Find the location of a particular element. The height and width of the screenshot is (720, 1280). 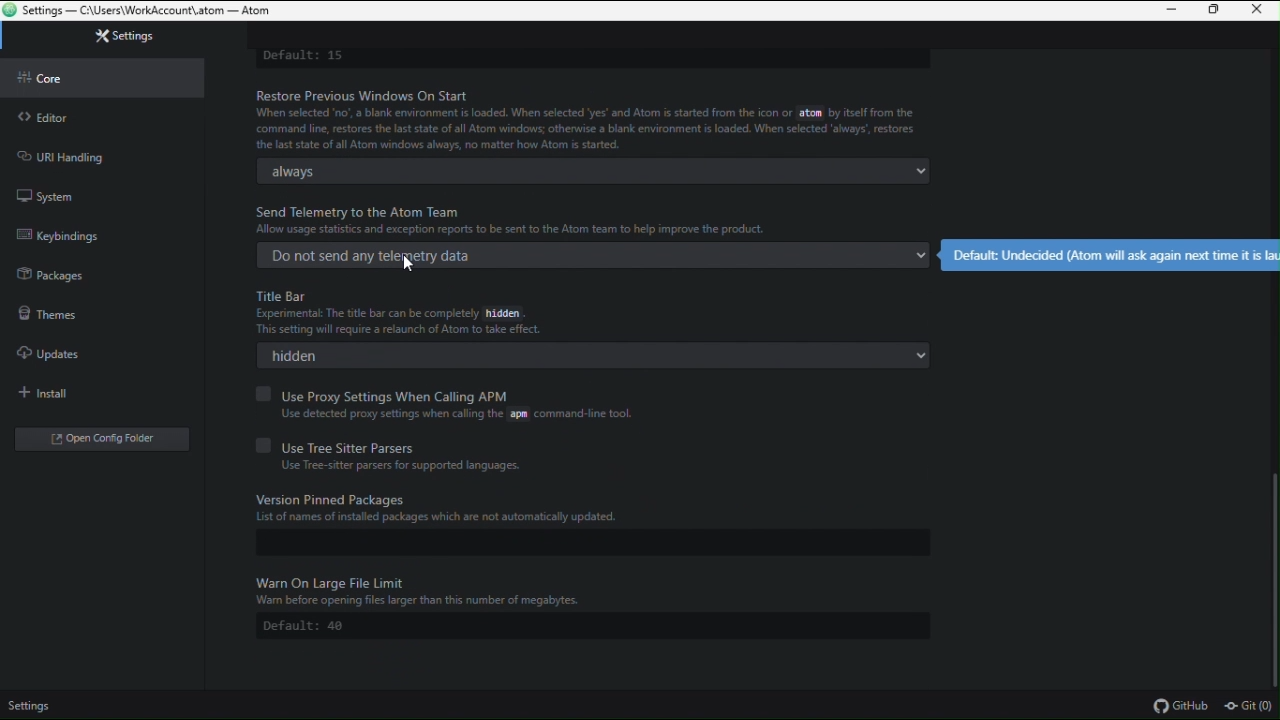

Use Tree-sitter parsers for supported languages. is located at coordinates (399, 465).